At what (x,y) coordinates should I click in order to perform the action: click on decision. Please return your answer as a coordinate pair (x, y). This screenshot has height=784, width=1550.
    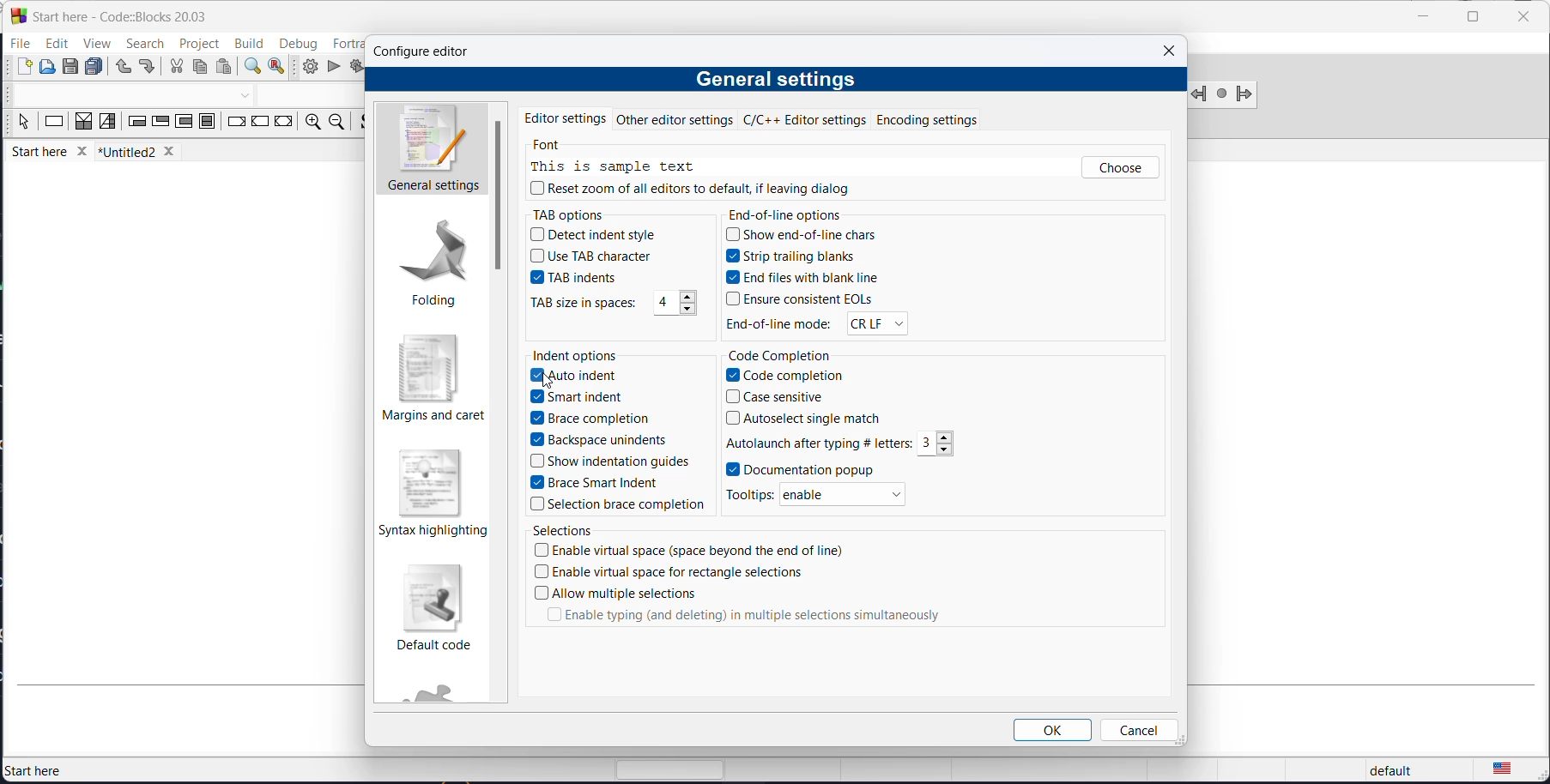
    Looking at the image, I should click on (84, 123).